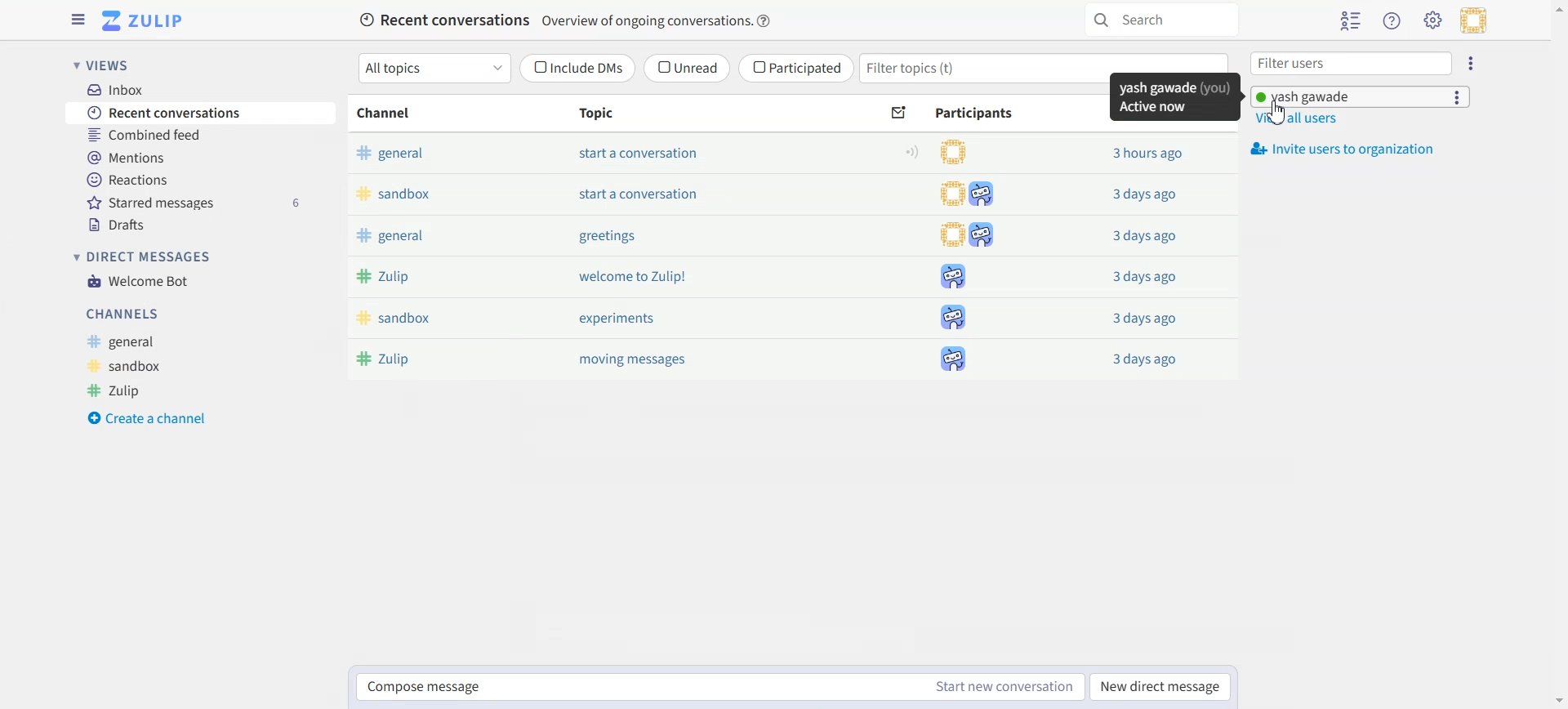 The width and height of the screenshot is (1568, 709). I want to click on experiments, so click(619, 318).